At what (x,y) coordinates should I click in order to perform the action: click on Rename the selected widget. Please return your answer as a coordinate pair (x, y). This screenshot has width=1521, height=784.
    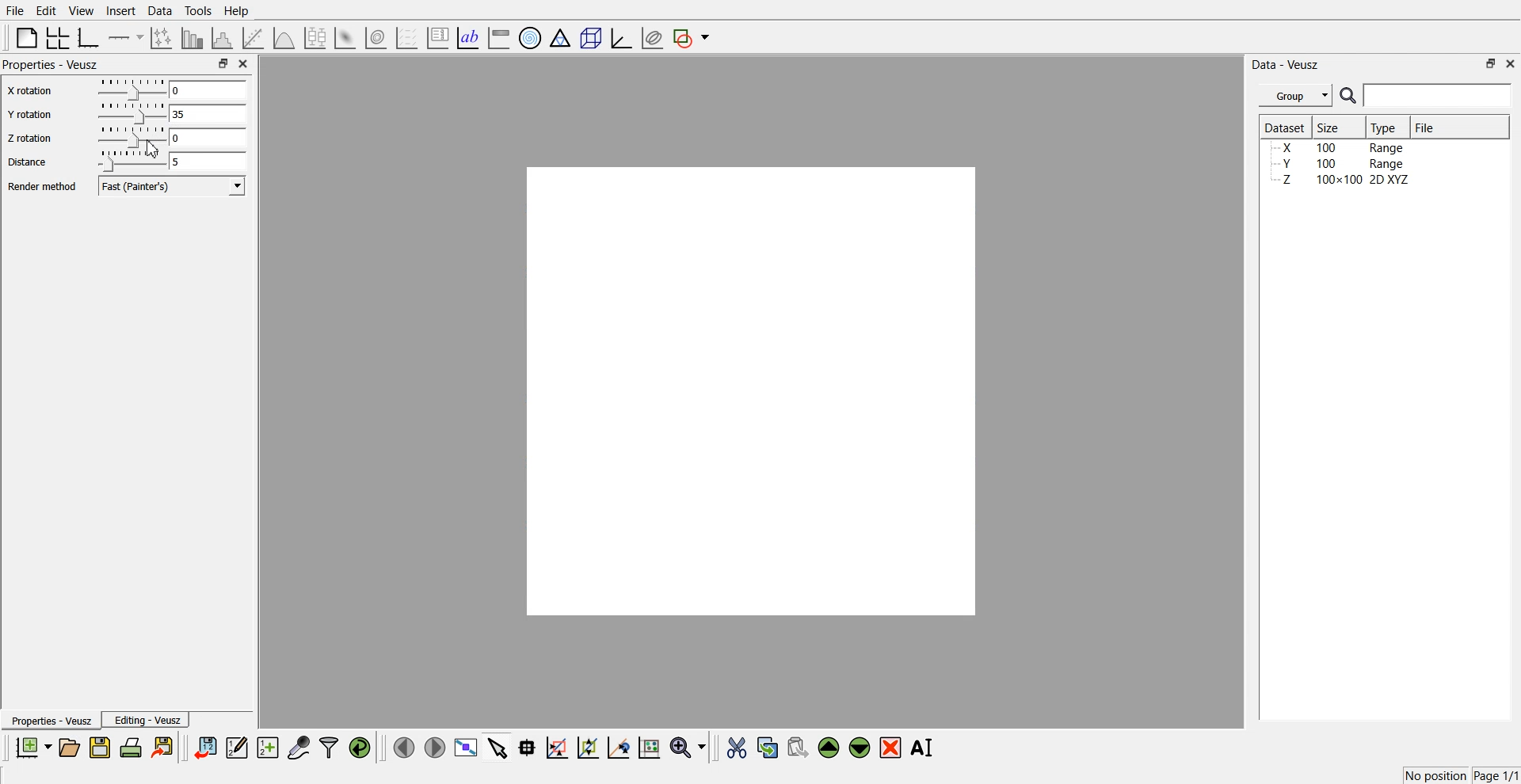
    Looking at the image, I should click on (924, 748).